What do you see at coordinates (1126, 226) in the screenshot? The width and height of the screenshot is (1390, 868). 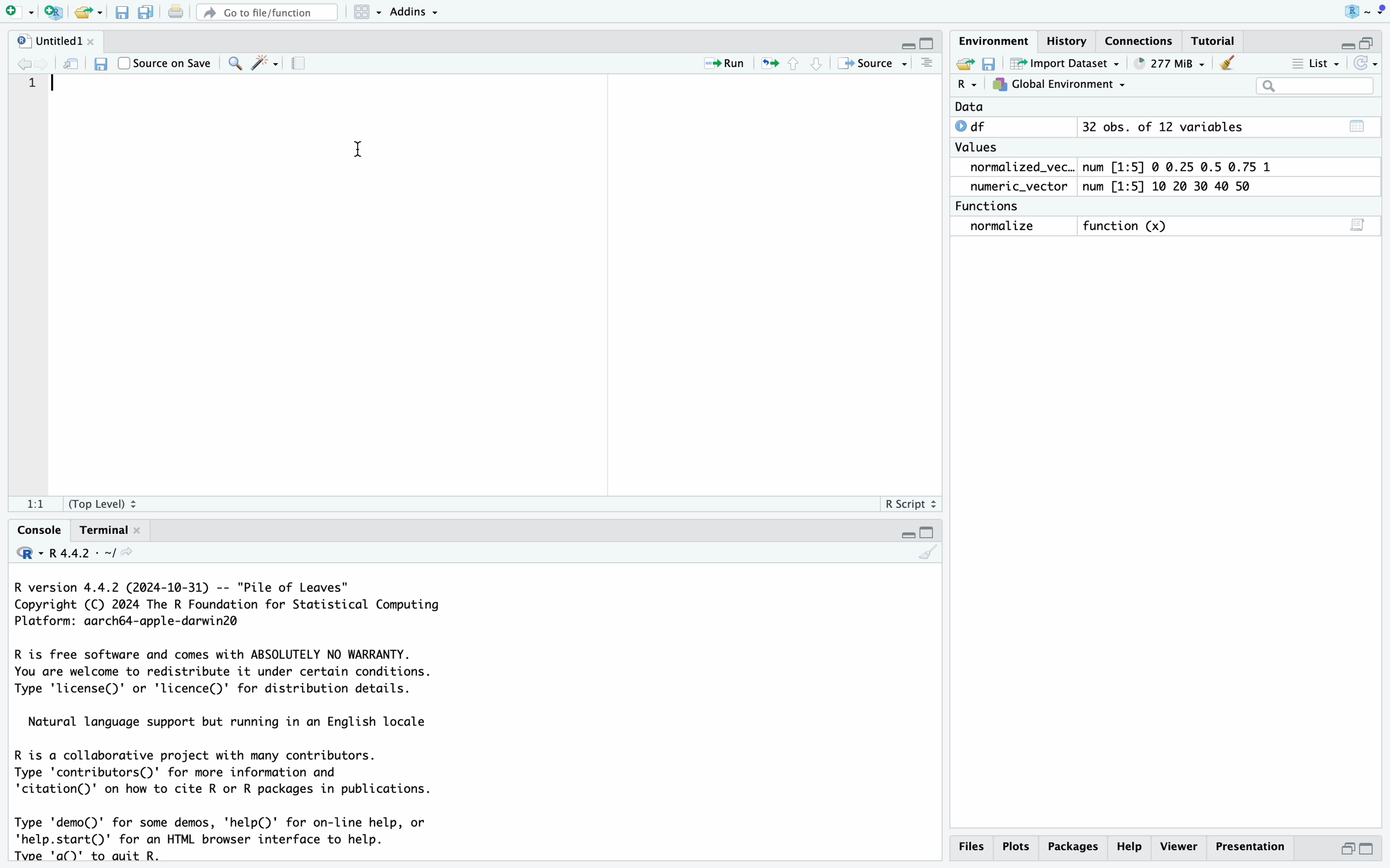 I see `Function (x)` at bounding box center [1126, 226].